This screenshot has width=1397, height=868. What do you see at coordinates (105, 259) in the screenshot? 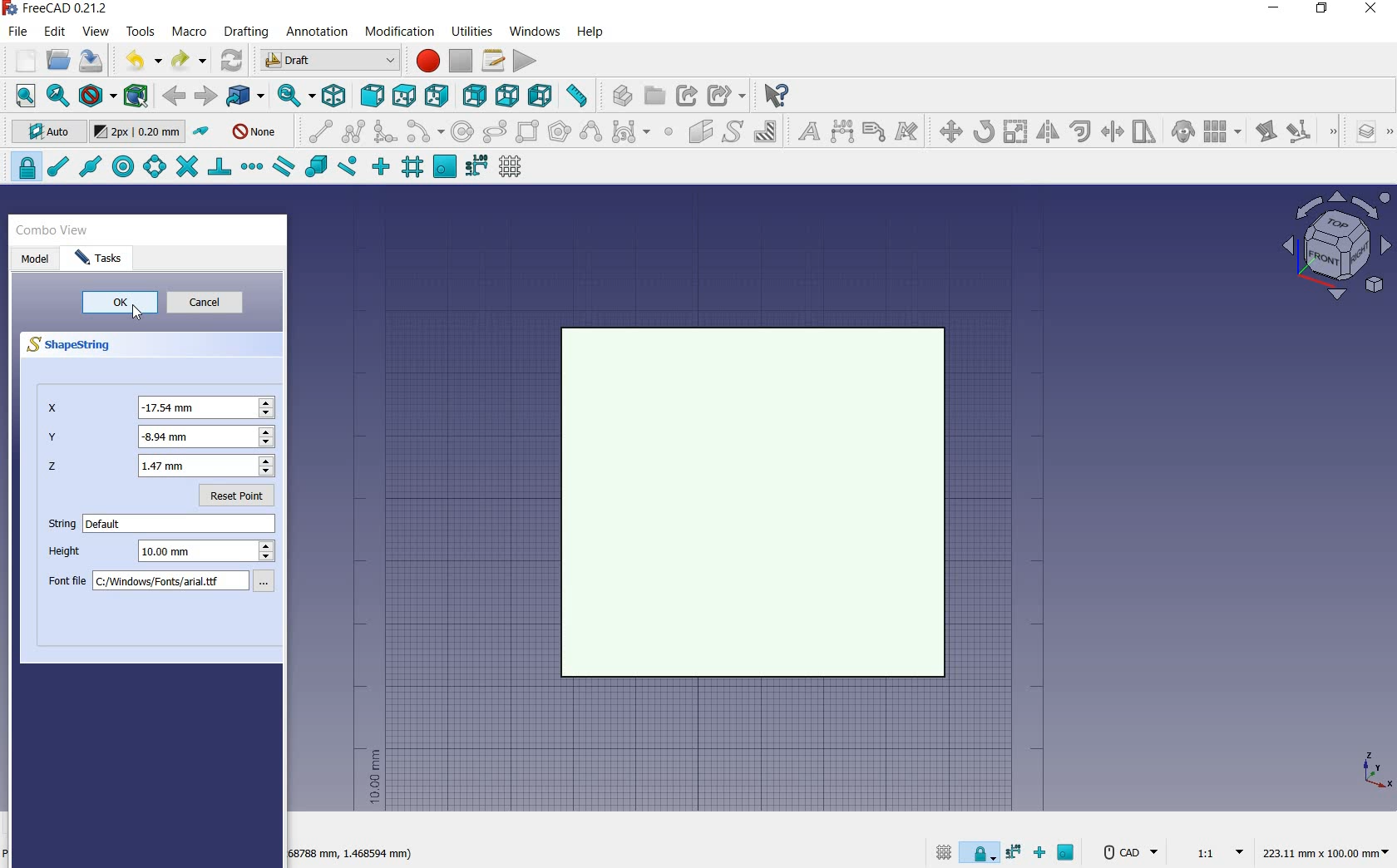
I see `tasks` at bounding box center [105, 259].